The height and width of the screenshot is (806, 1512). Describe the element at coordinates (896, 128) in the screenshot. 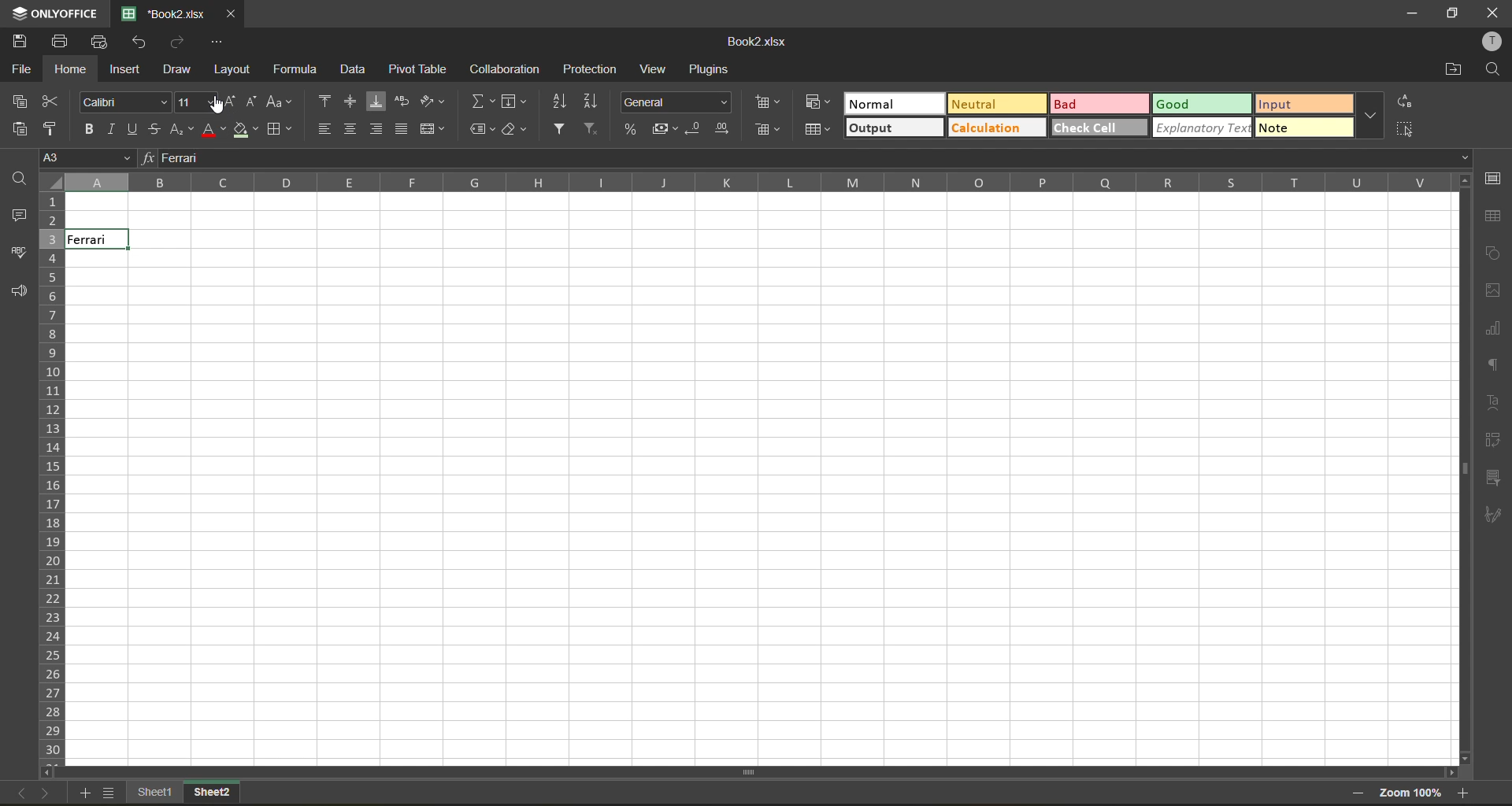

I see `output` at that location.